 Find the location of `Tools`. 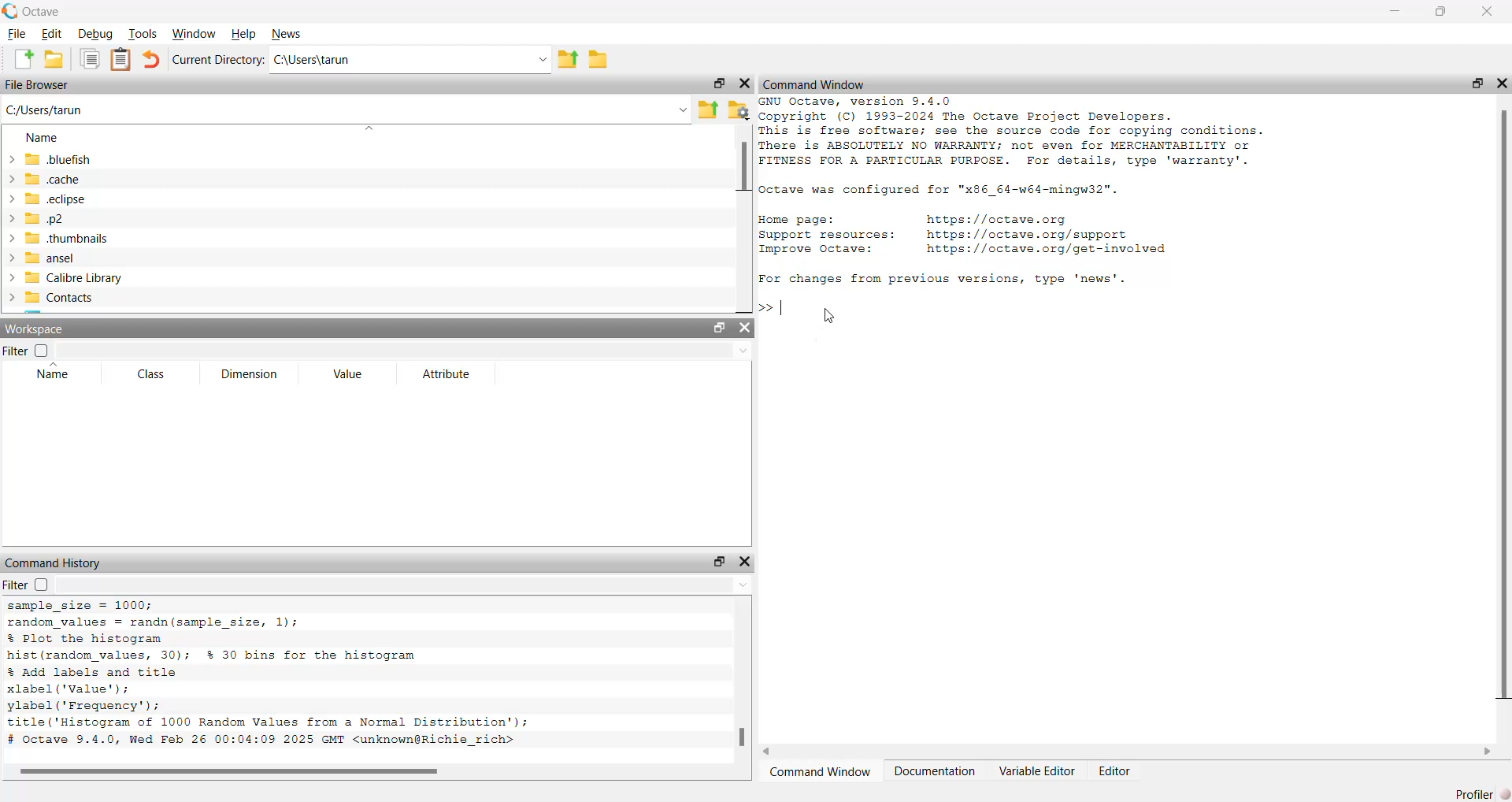

Tools is located at coordinates (141, 33).